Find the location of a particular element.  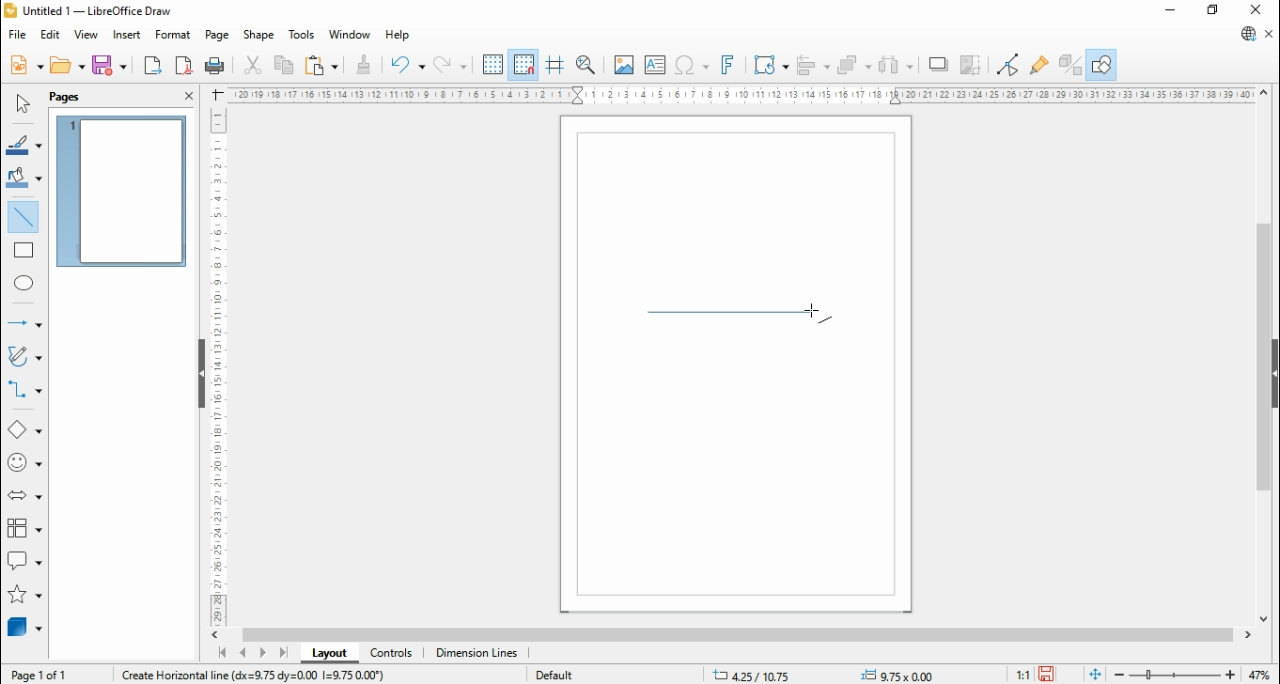

tools is located at coordinates (303, 35).